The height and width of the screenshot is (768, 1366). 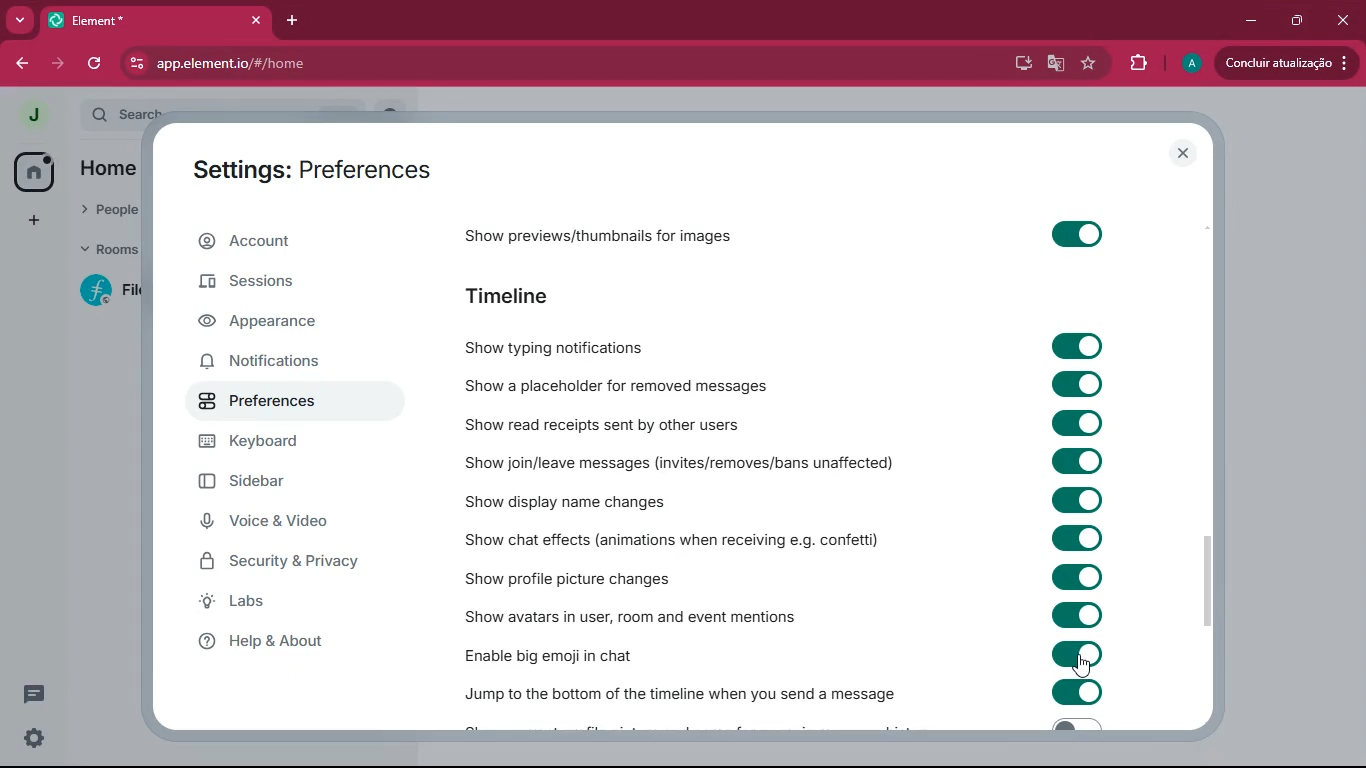 What do you see at coordinates (1215, 580) in the screenshot?
I see `Vertical scrollbar` at bounding box center [1215, 580].